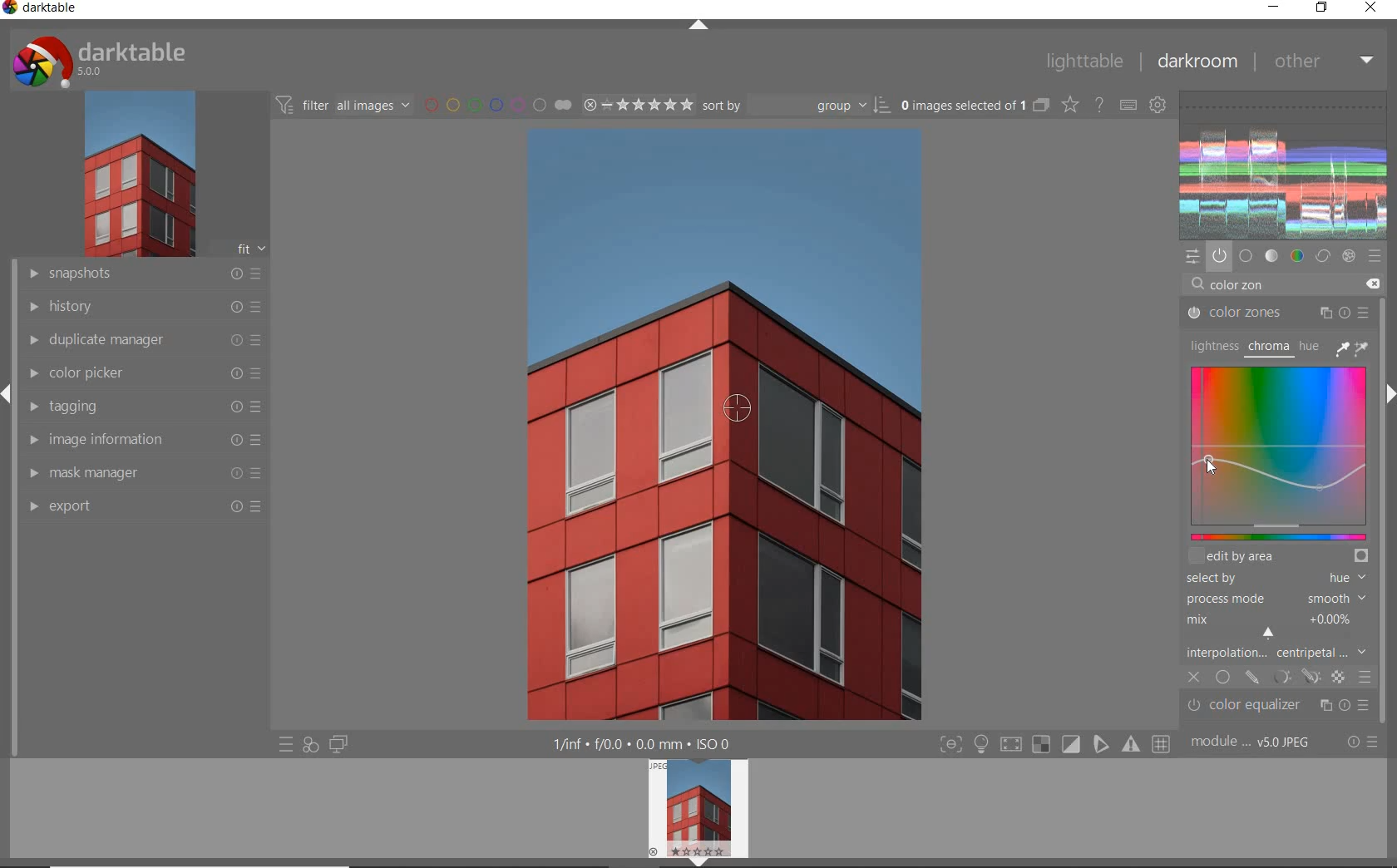 The image size is (1397, 868). Describe the element at coordinates (710, 194) in the screenshot. I see `selected image` at that location.